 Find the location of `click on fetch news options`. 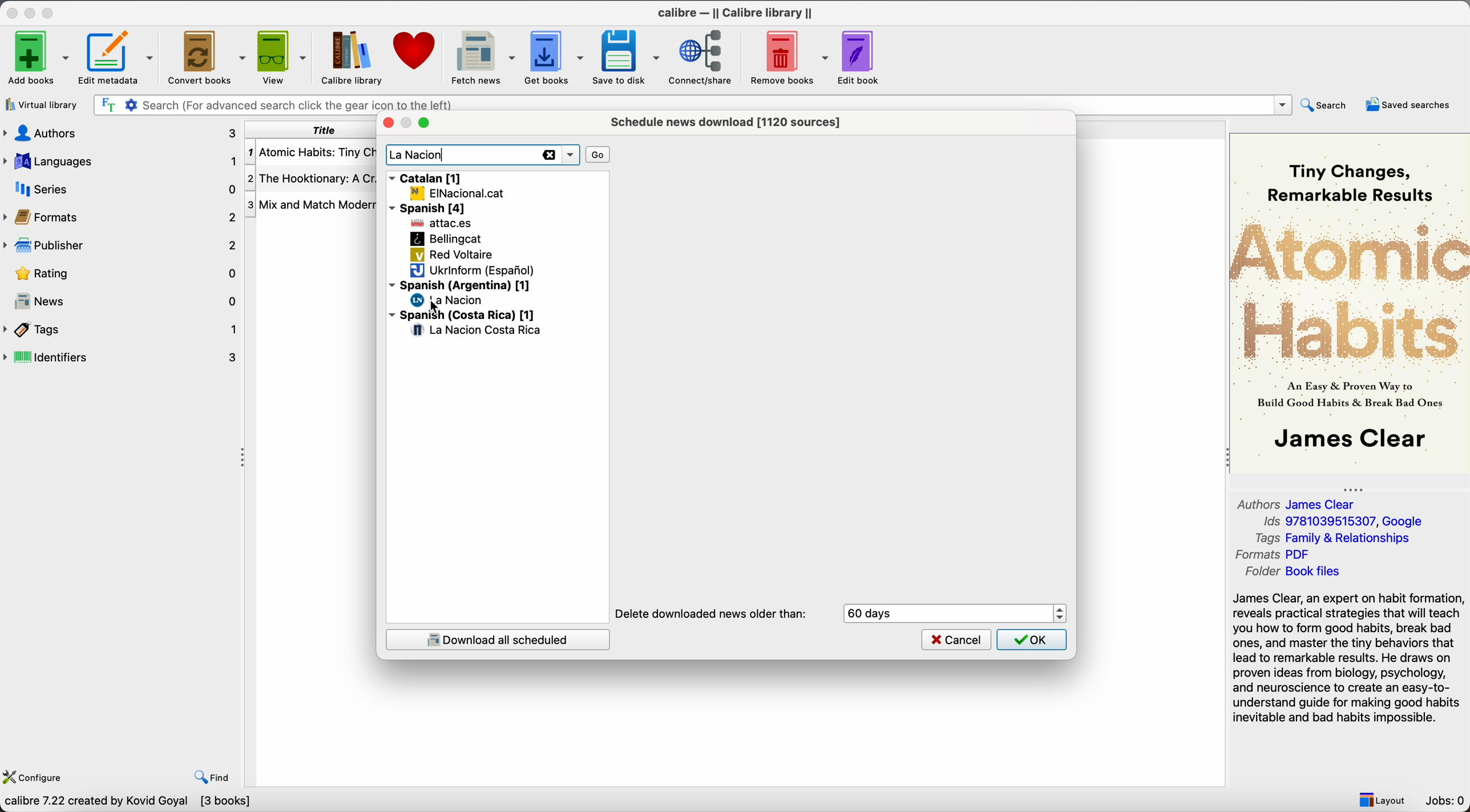

click on fetch news options is located at coordinates (481, 56).